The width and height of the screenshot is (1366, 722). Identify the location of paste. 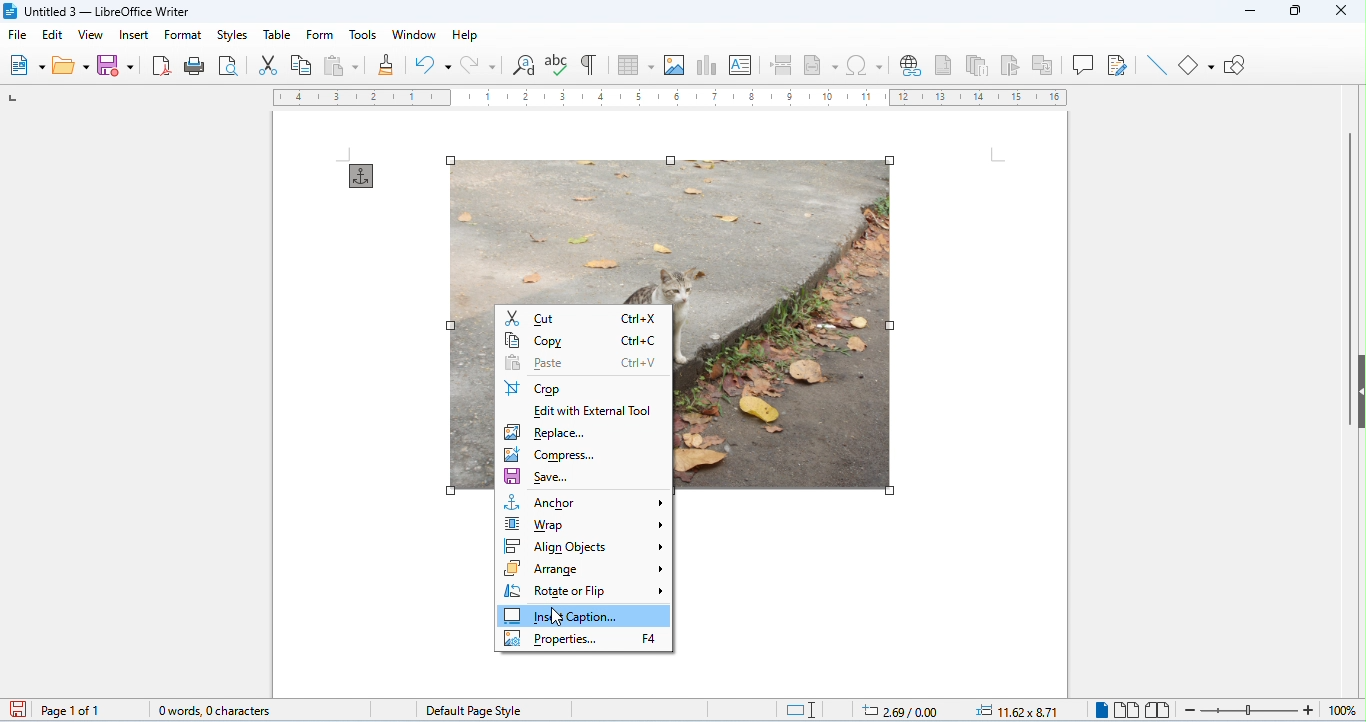
(582, 364).